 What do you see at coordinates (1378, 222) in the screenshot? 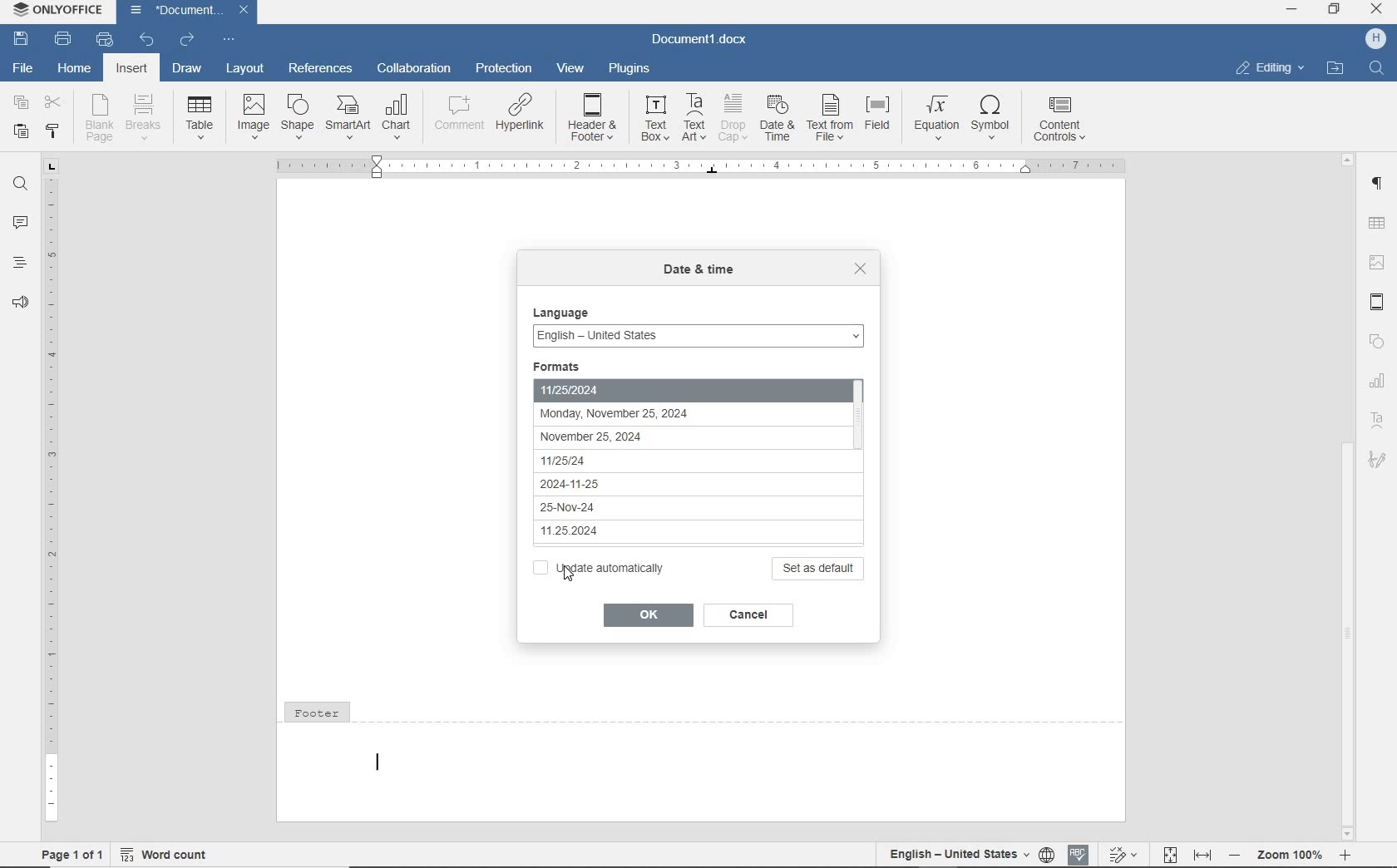
I see `table` at bounding box center [1378, 222].